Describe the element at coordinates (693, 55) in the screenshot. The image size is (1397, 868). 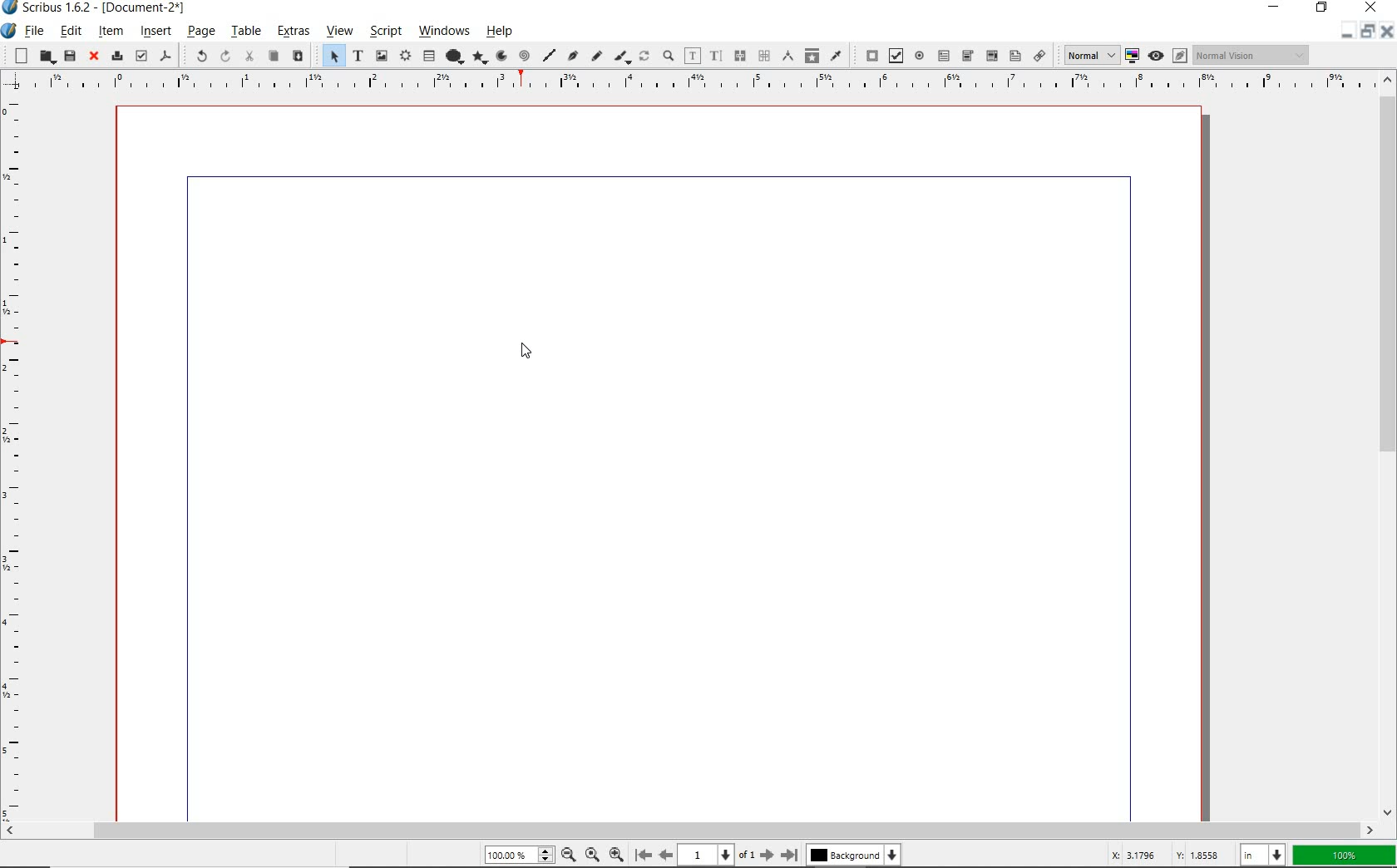
I see `edit contents of frame` at that location.